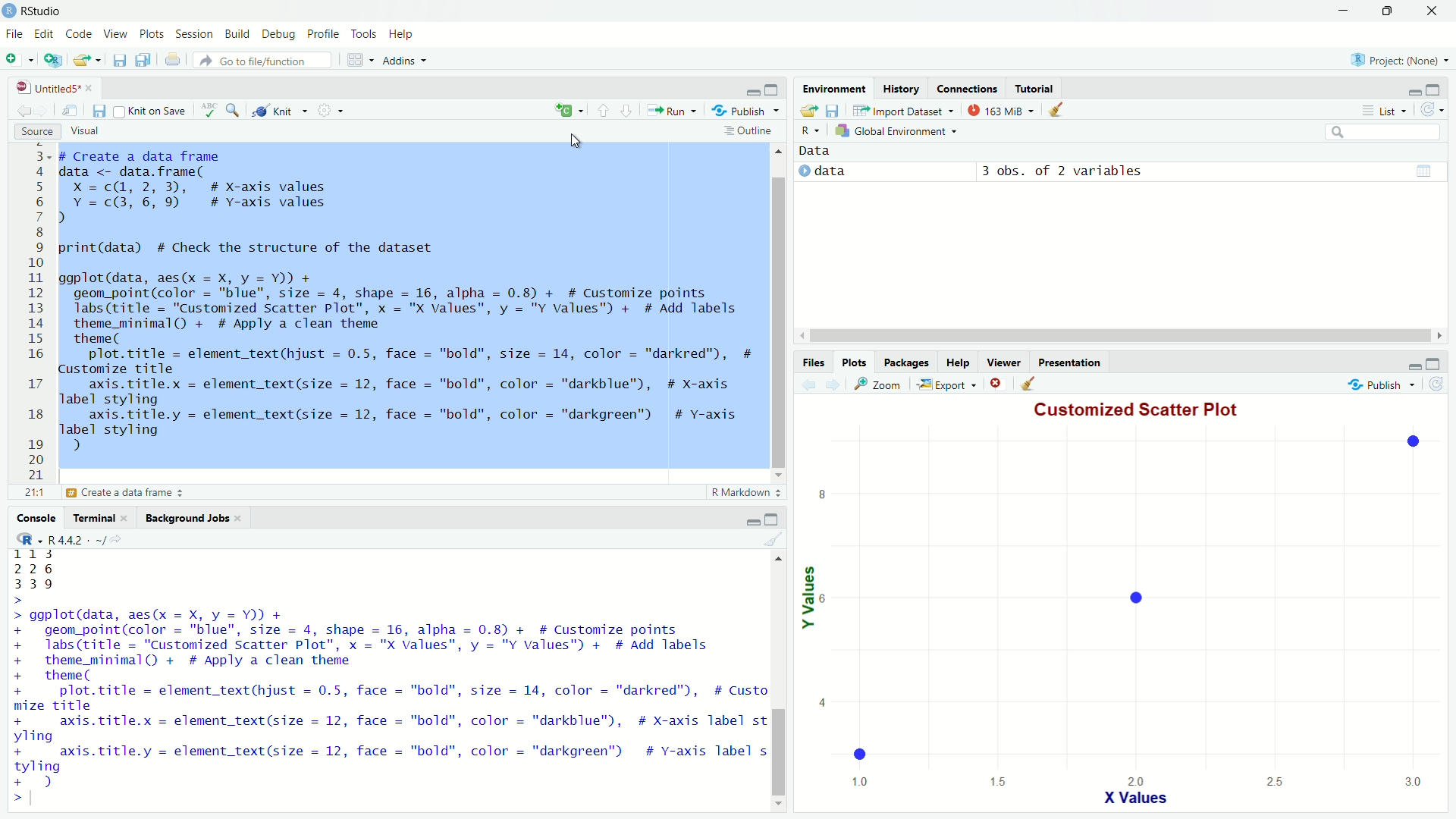 The width and height of the screenshot is (1456, 819). Describe the element at coordinates (1141, 411) in the screenshot. I see `Customized Scatter Plot` at that location.